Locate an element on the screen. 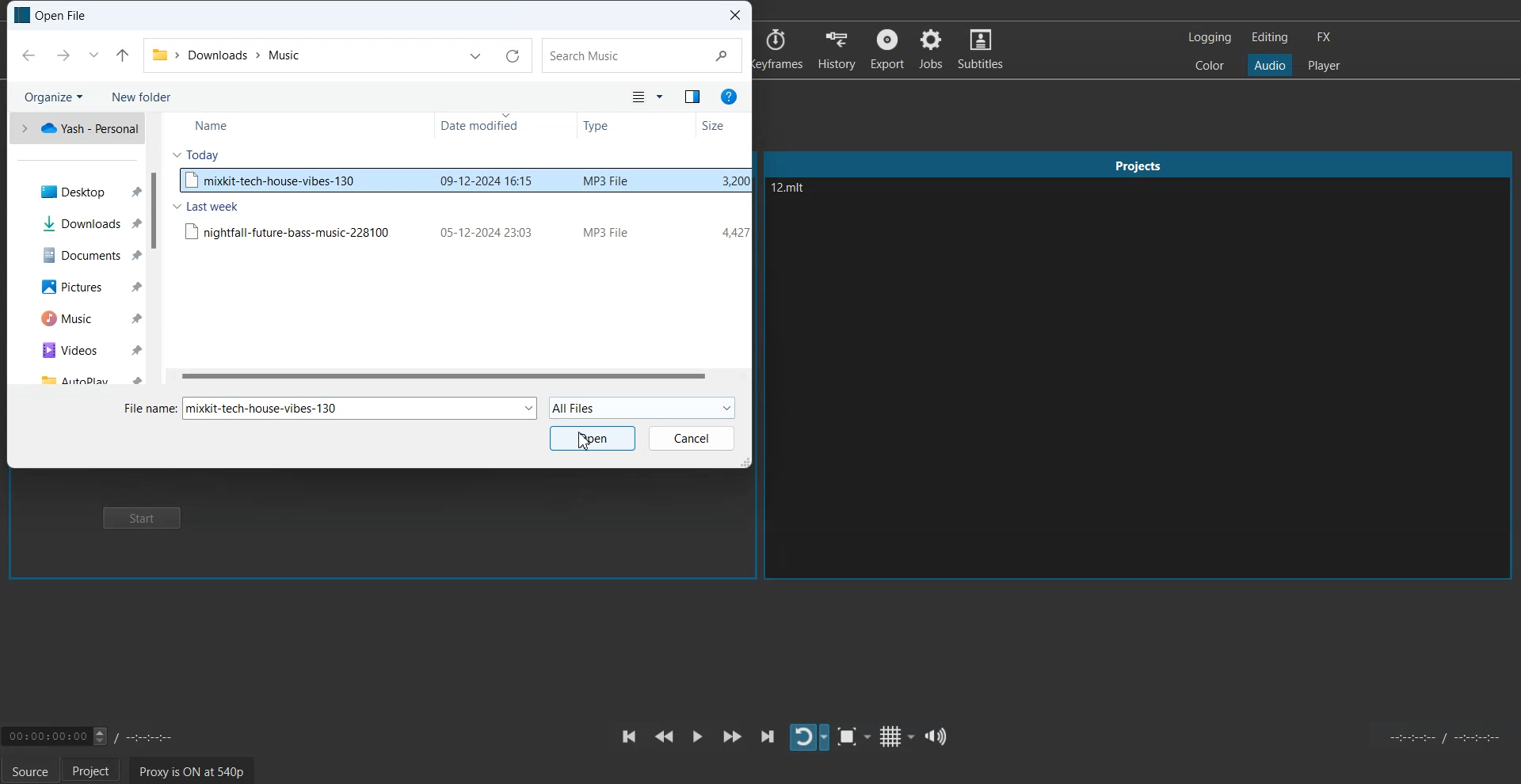 The width and height of the screenshot is (1521, 784). Show the volume control is located at coordinates (937, 736).